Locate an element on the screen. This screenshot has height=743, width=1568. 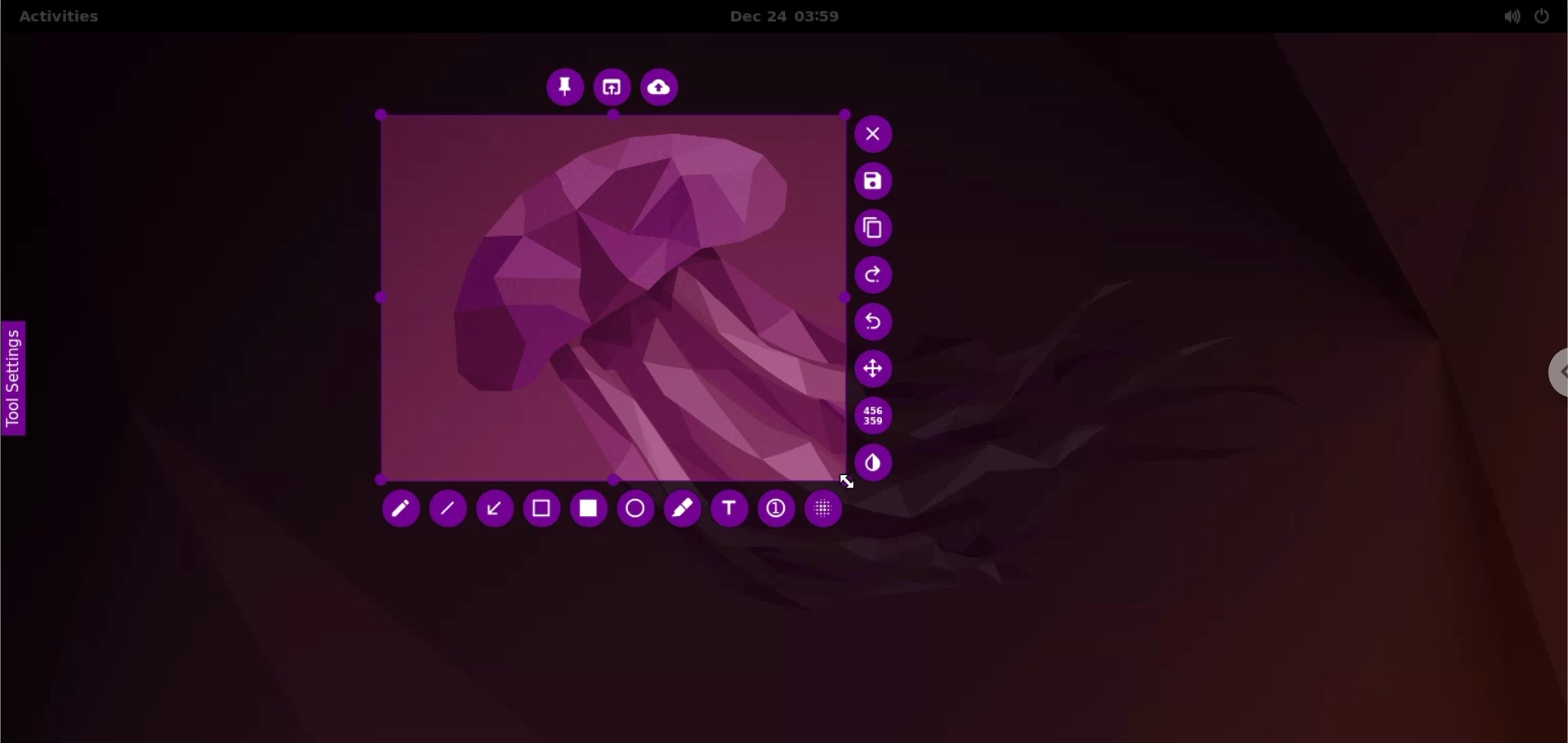
copy to clipboard is located at coordinates (878, 229).